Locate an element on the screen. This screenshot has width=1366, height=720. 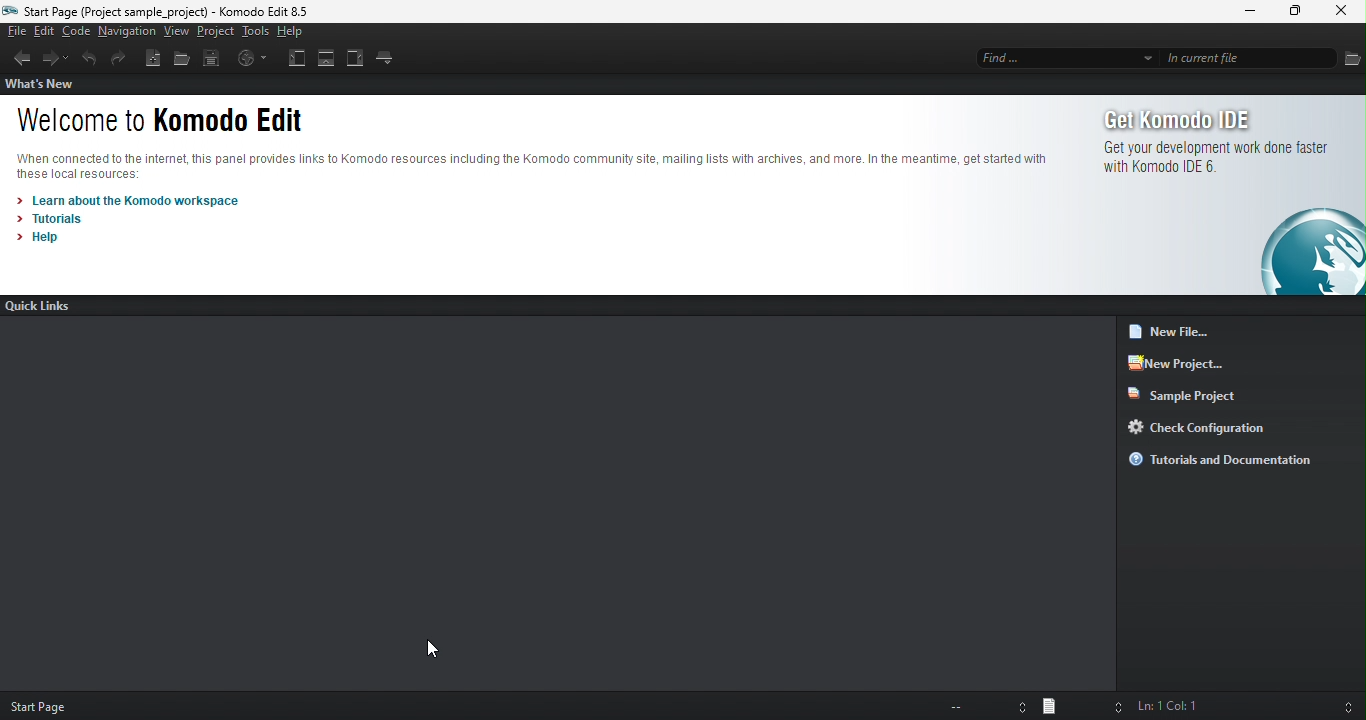
check configuration is located at coordinates (1200, 428).